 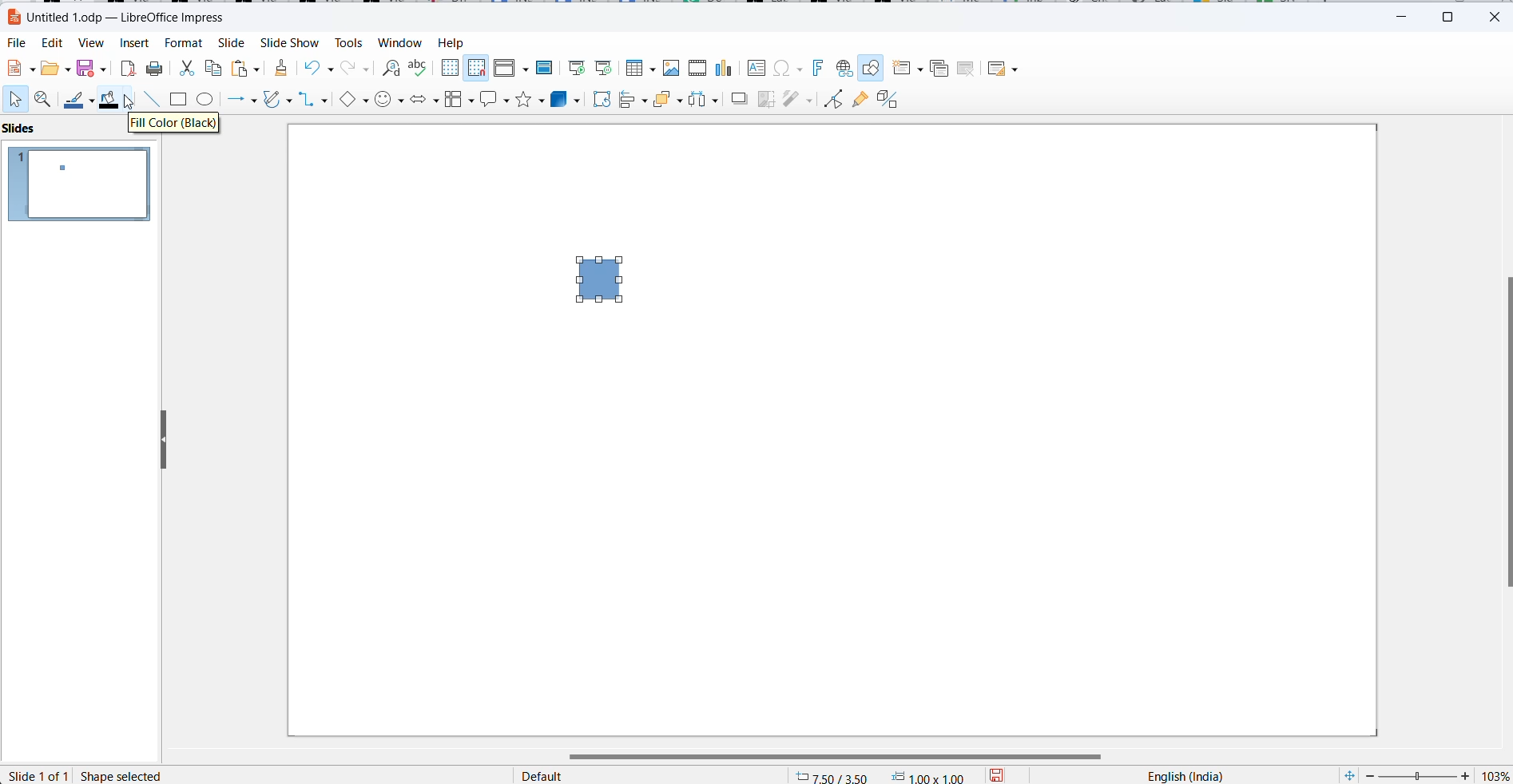 I want to click on Format, so click(x=183, y=44).